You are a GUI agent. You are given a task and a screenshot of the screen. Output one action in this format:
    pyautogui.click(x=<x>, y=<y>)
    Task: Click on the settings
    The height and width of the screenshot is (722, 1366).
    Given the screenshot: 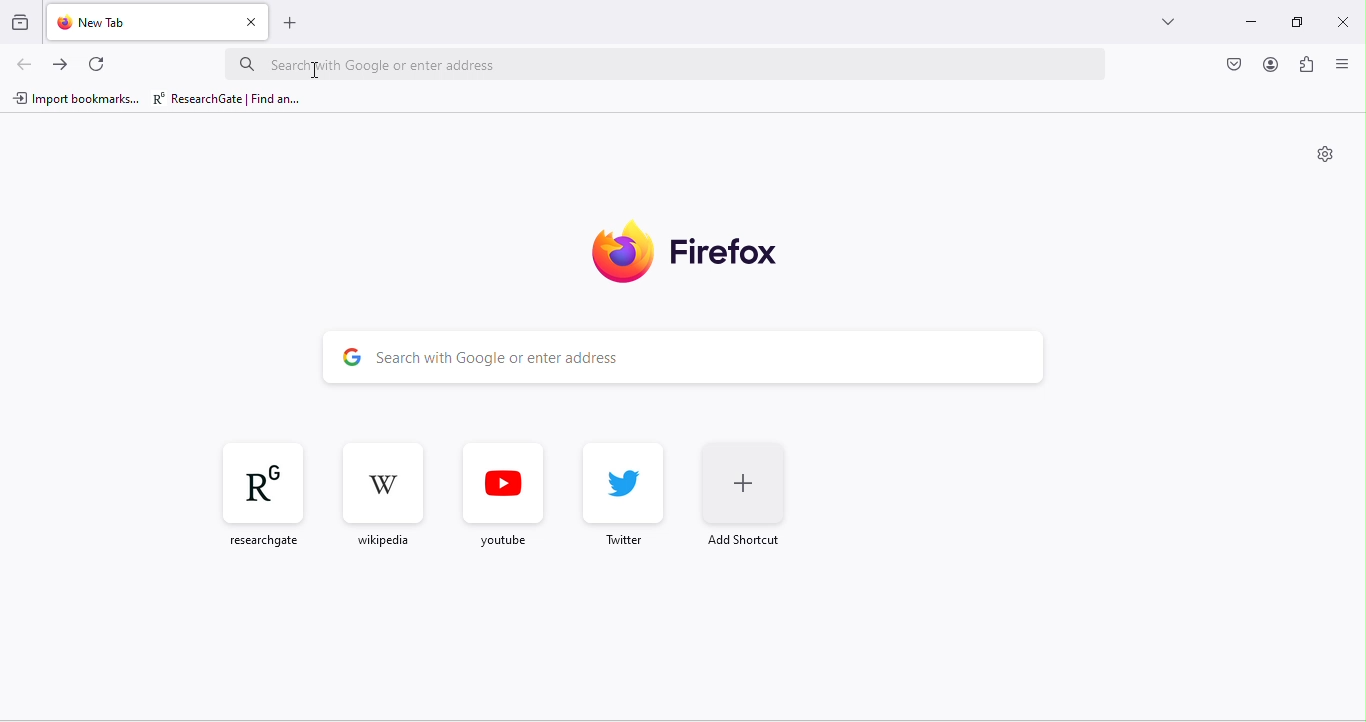 What is the action you would take?
    pyautogui.click(x=1321, y=155)
    